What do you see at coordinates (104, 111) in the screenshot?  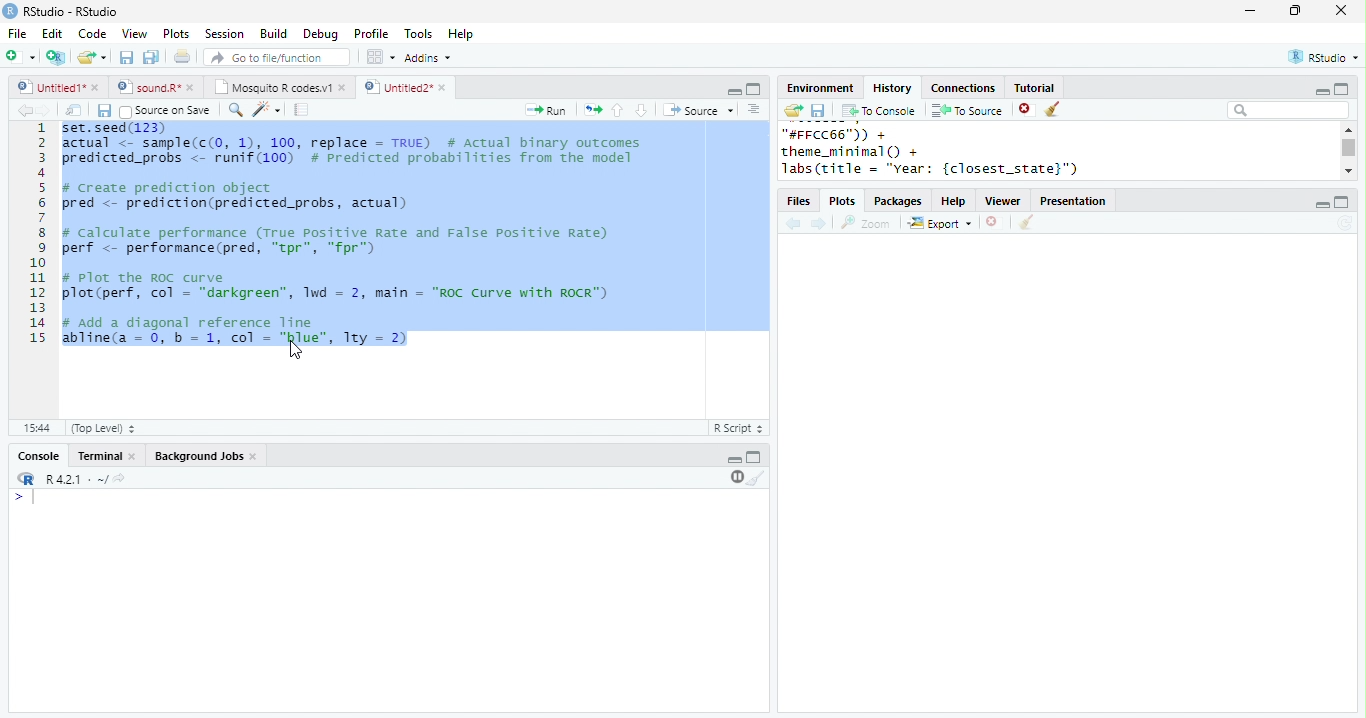 I see `save` at bounding box center [104, 111].